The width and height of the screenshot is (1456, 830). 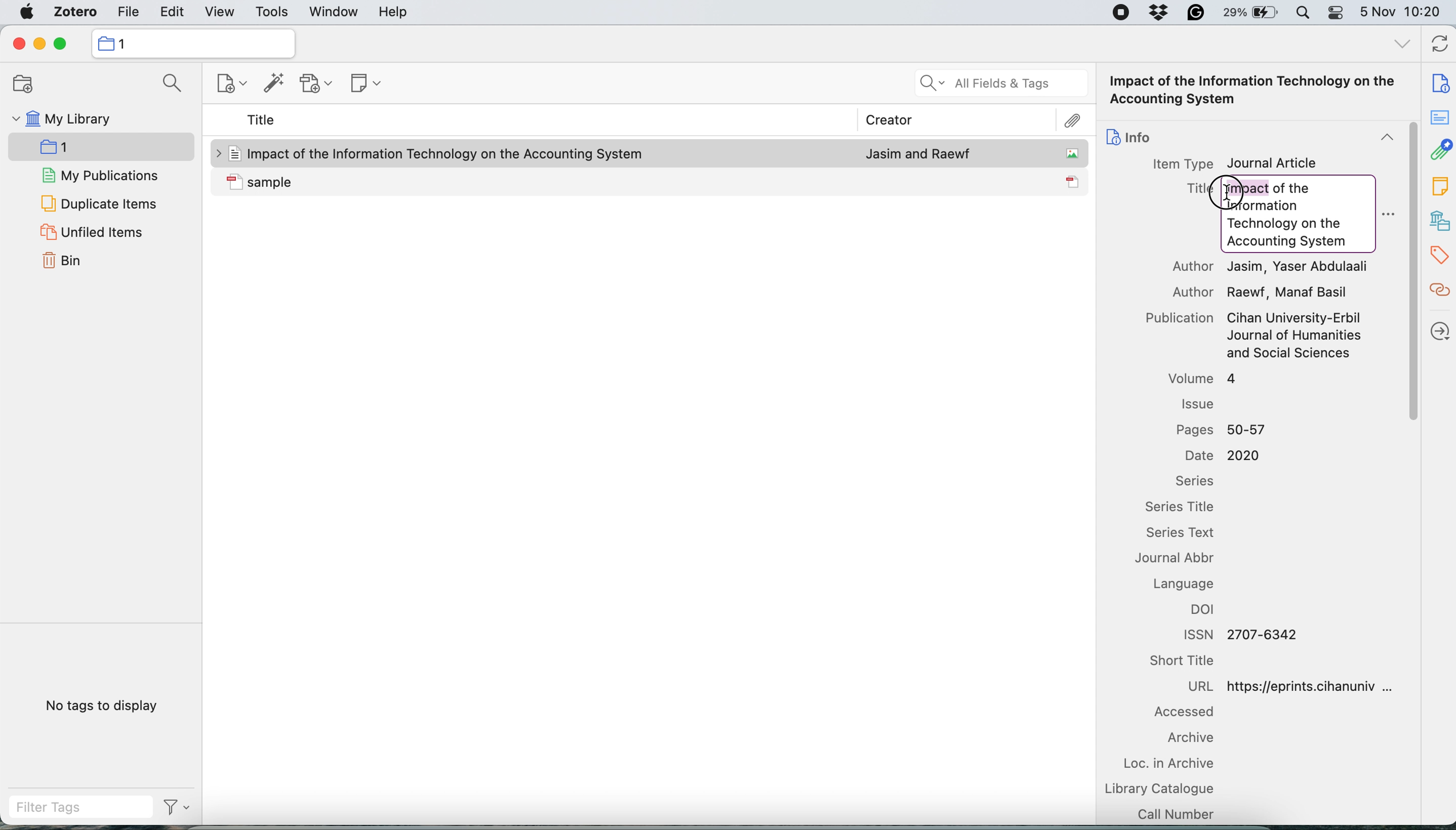 What do you see at coordinates (1228, 456) in the screenshot?
I see `Date 2020` at bounding box center [1228, 456].